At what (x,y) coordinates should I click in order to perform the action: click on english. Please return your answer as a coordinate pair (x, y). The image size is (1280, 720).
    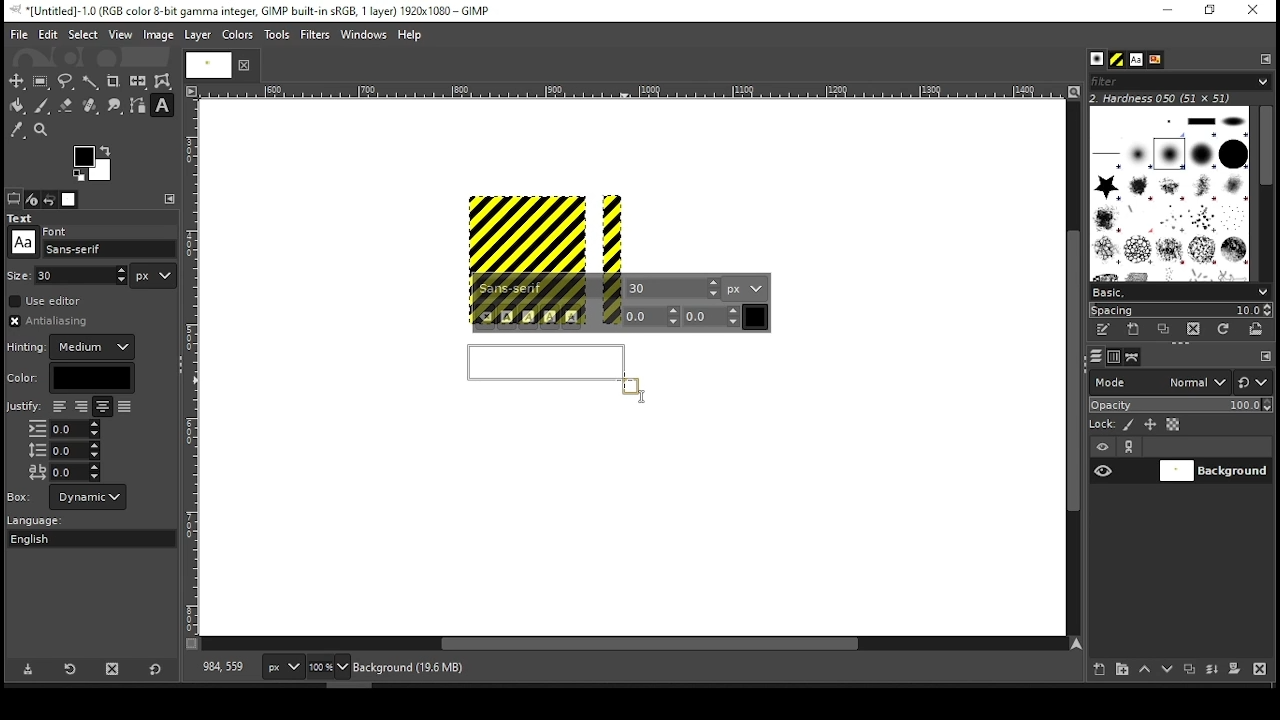
    Looking at the image, I should click on (49, 538).